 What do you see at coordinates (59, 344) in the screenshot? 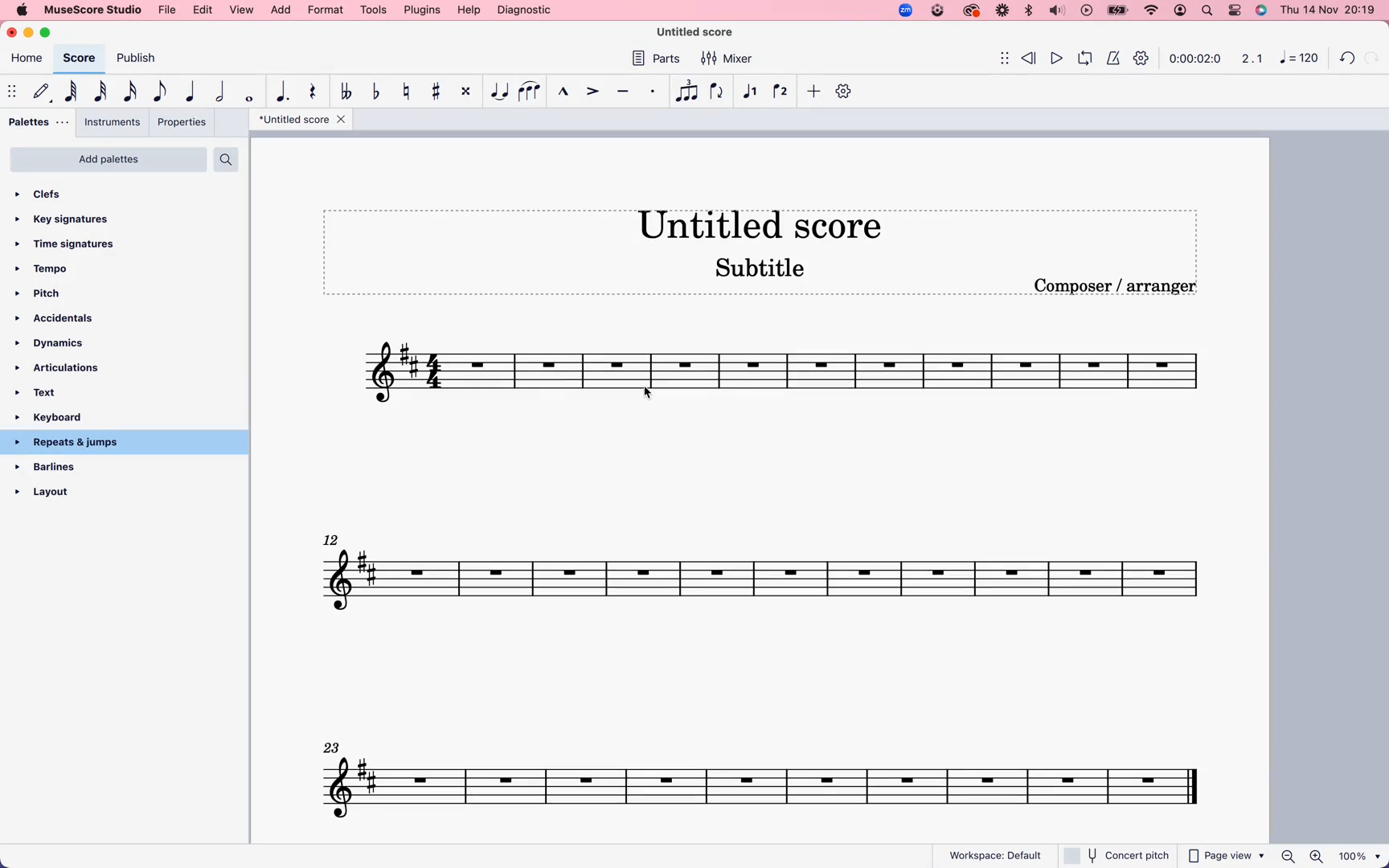
I see `dynamics` at bounding box center [59, 344].